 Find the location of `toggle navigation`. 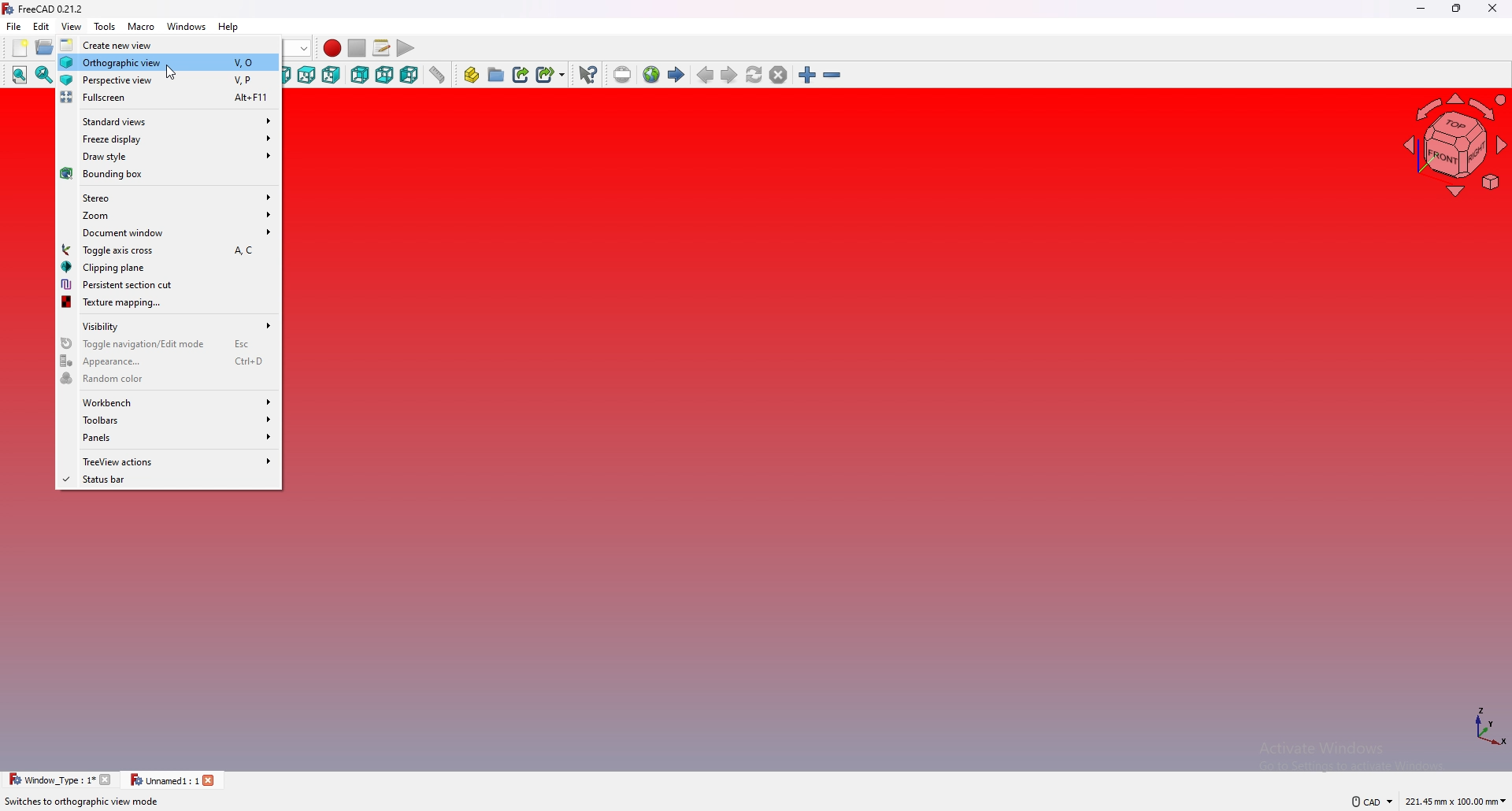

toggle navigation is located at coordinates (169, 343).